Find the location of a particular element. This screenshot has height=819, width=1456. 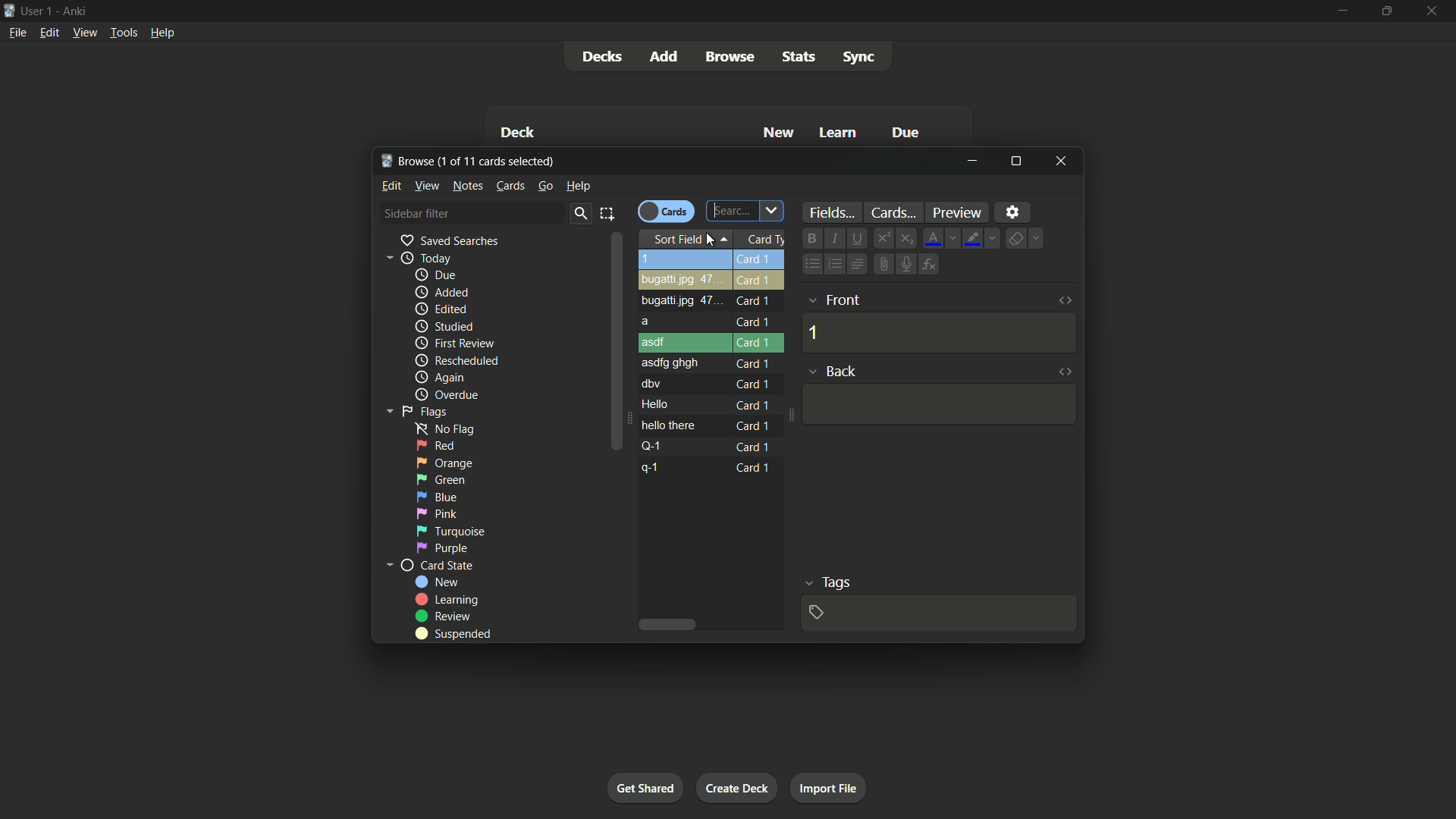

fields is located at coordinates (830, 212).